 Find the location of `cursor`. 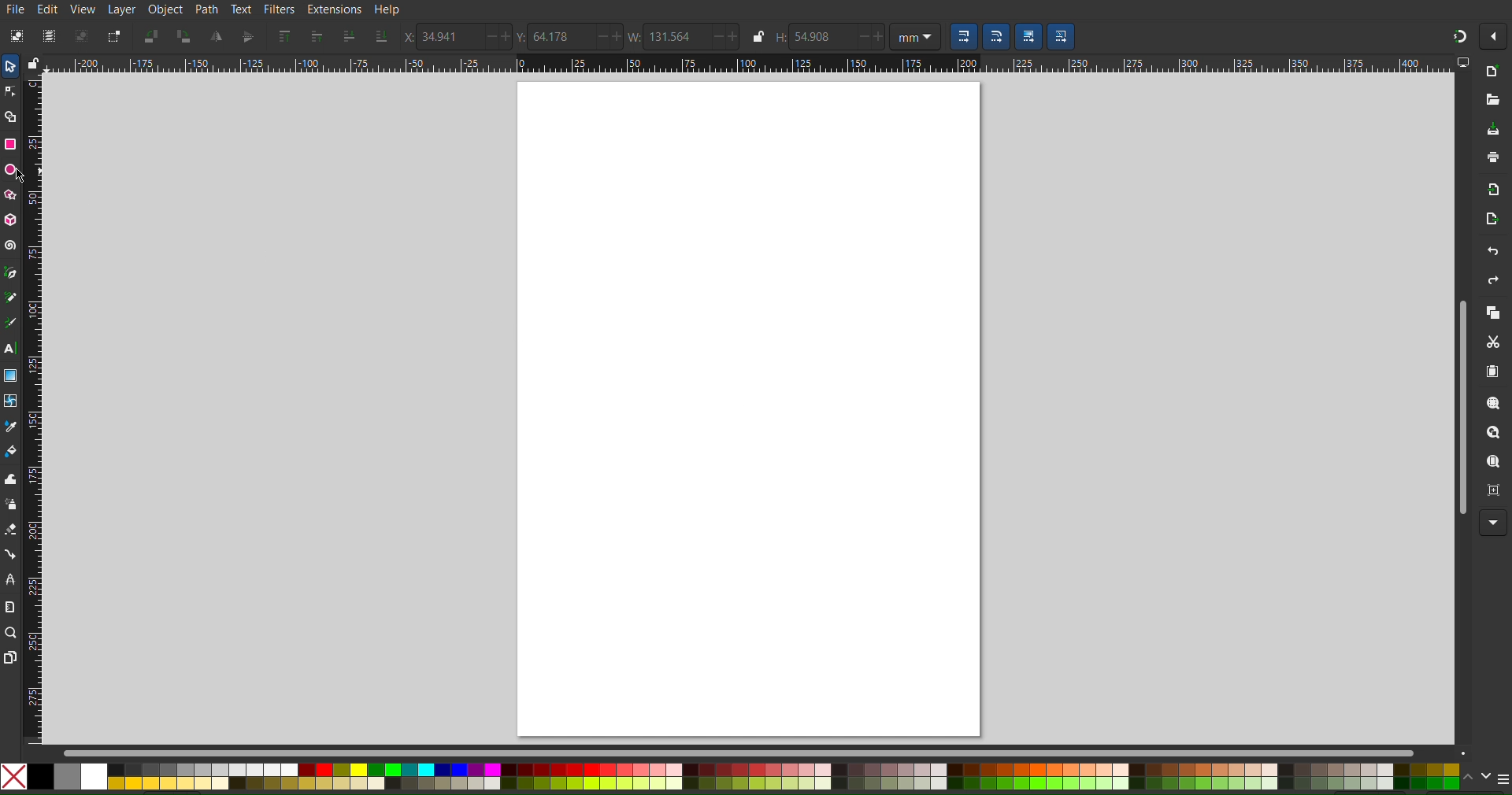

cursor is located at coordinates (24, 176).